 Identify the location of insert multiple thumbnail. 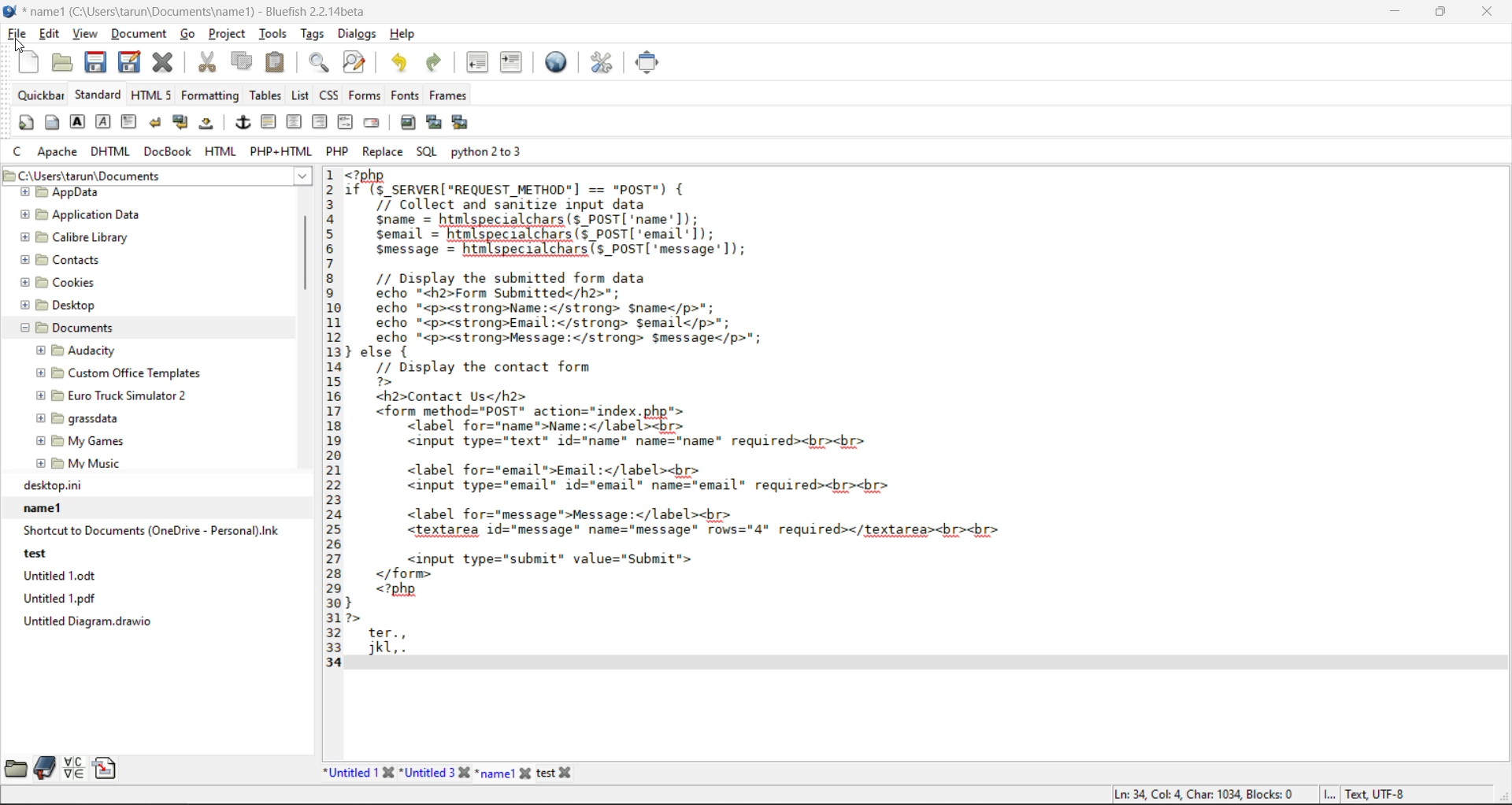
(458, 123).